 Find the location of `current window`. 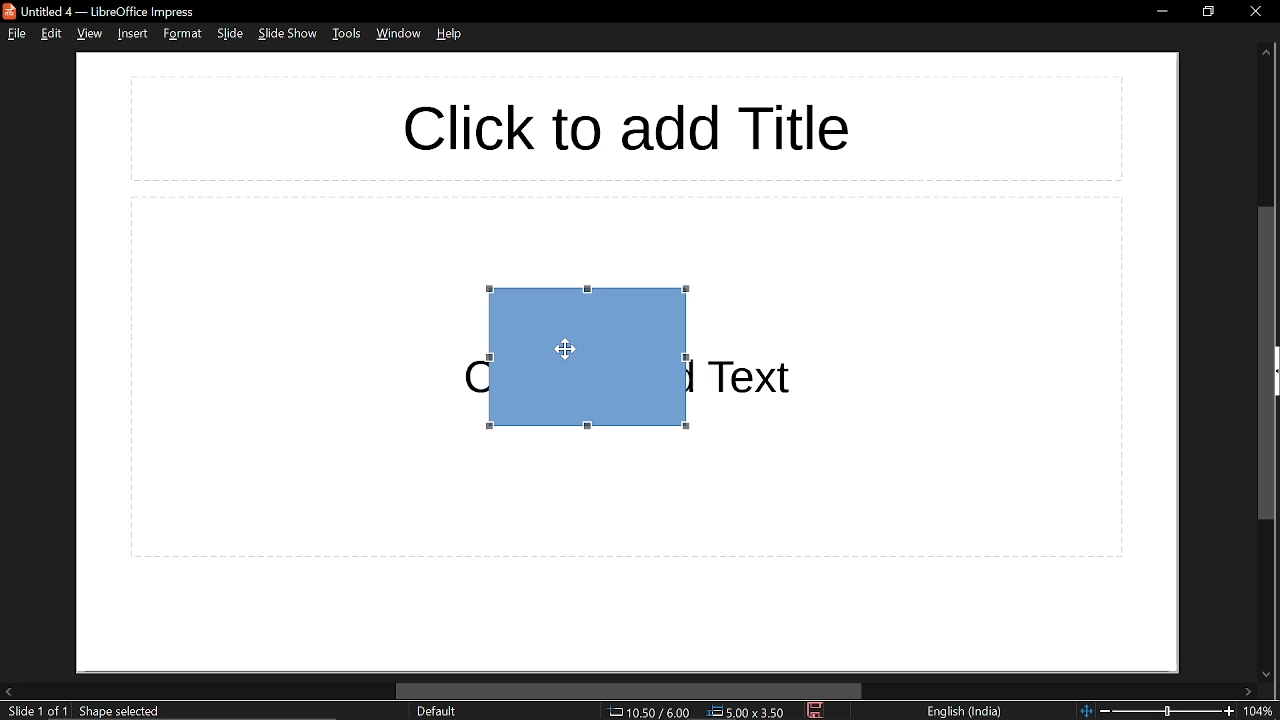

current window is located at coordinates (100, 11).